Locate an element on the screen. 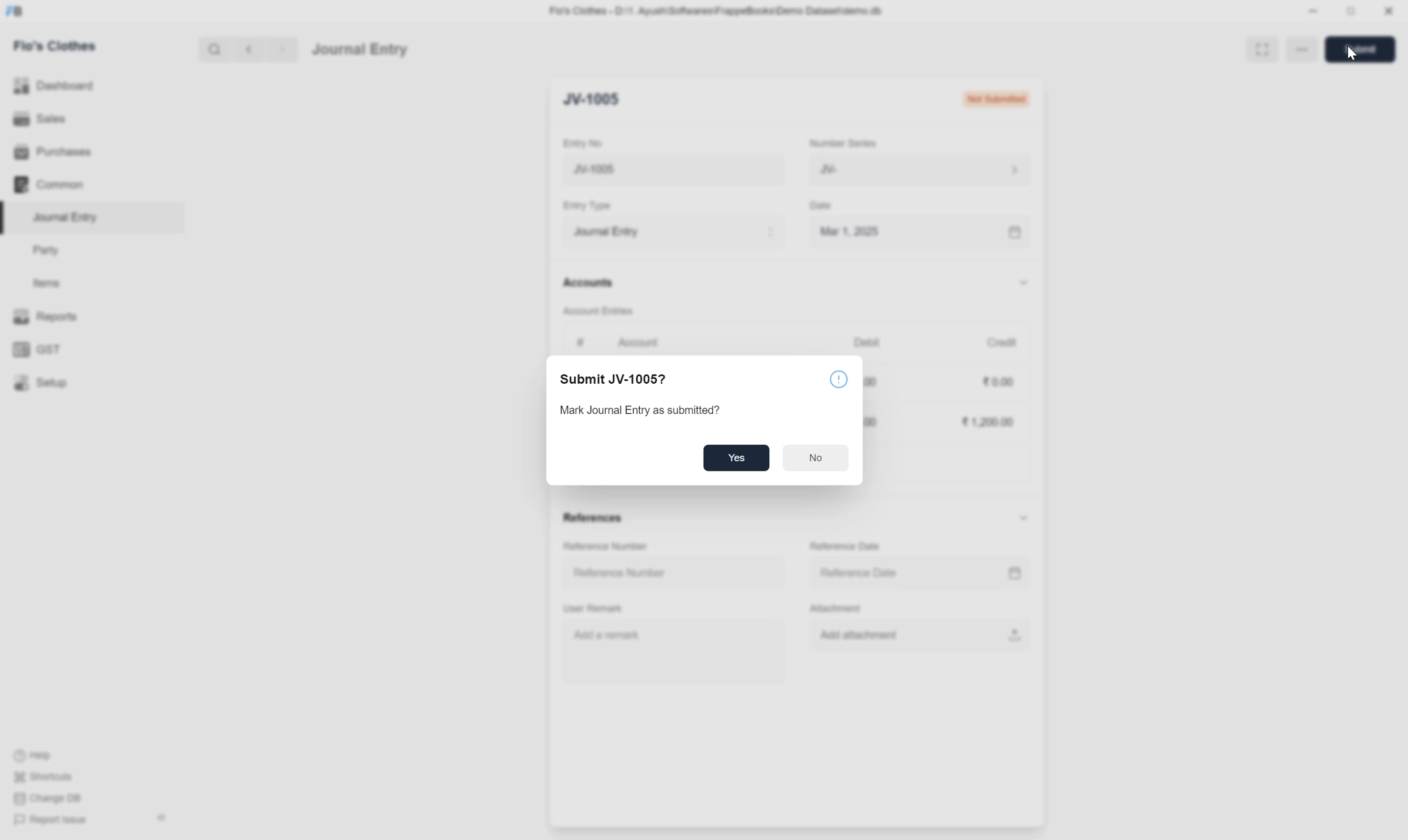 Image resolution: width=1408 pixels, height=840 pixels. close is located at coordinates (1389, 11).